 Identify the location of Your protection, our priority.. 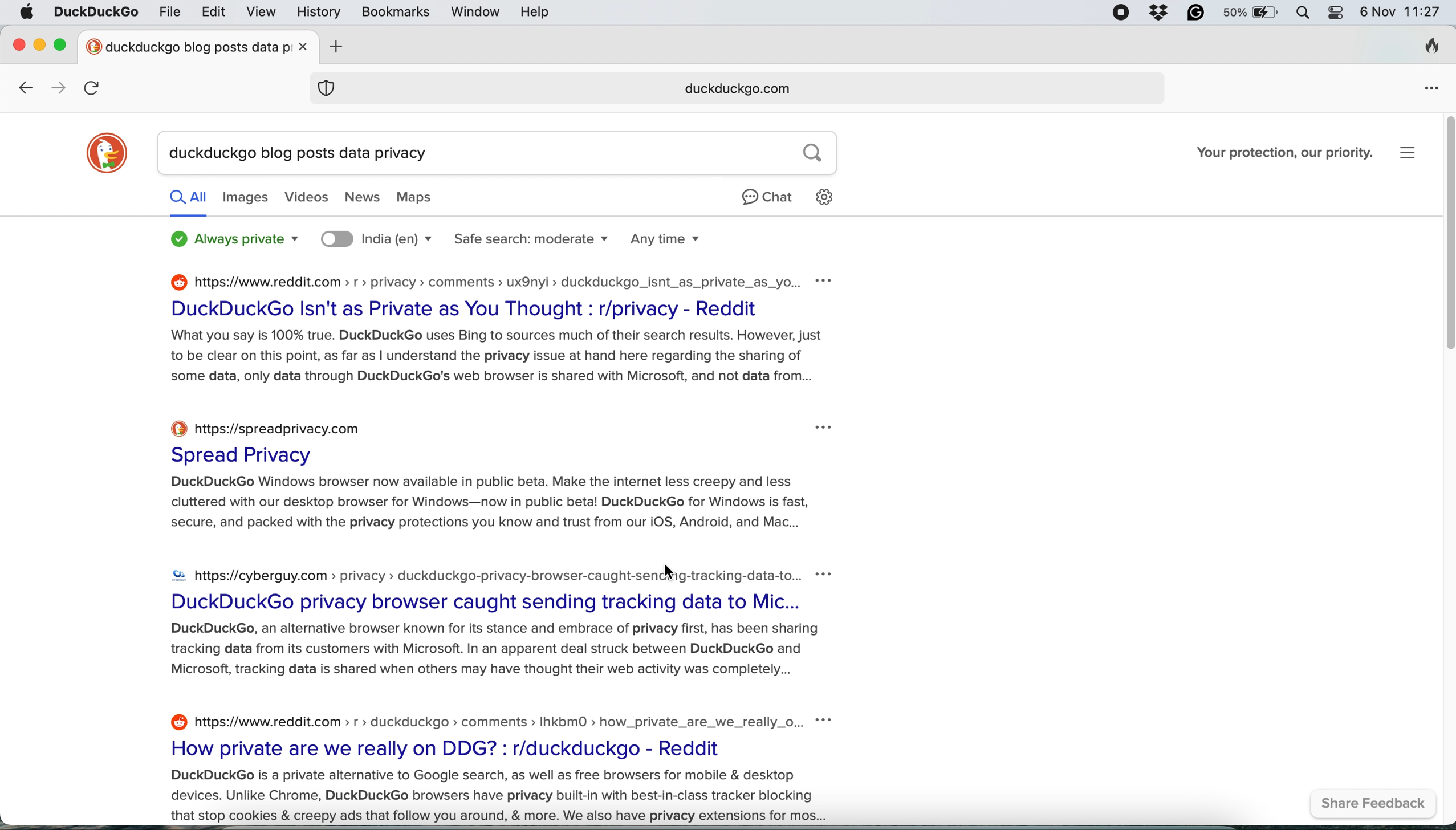
(1271, 154).